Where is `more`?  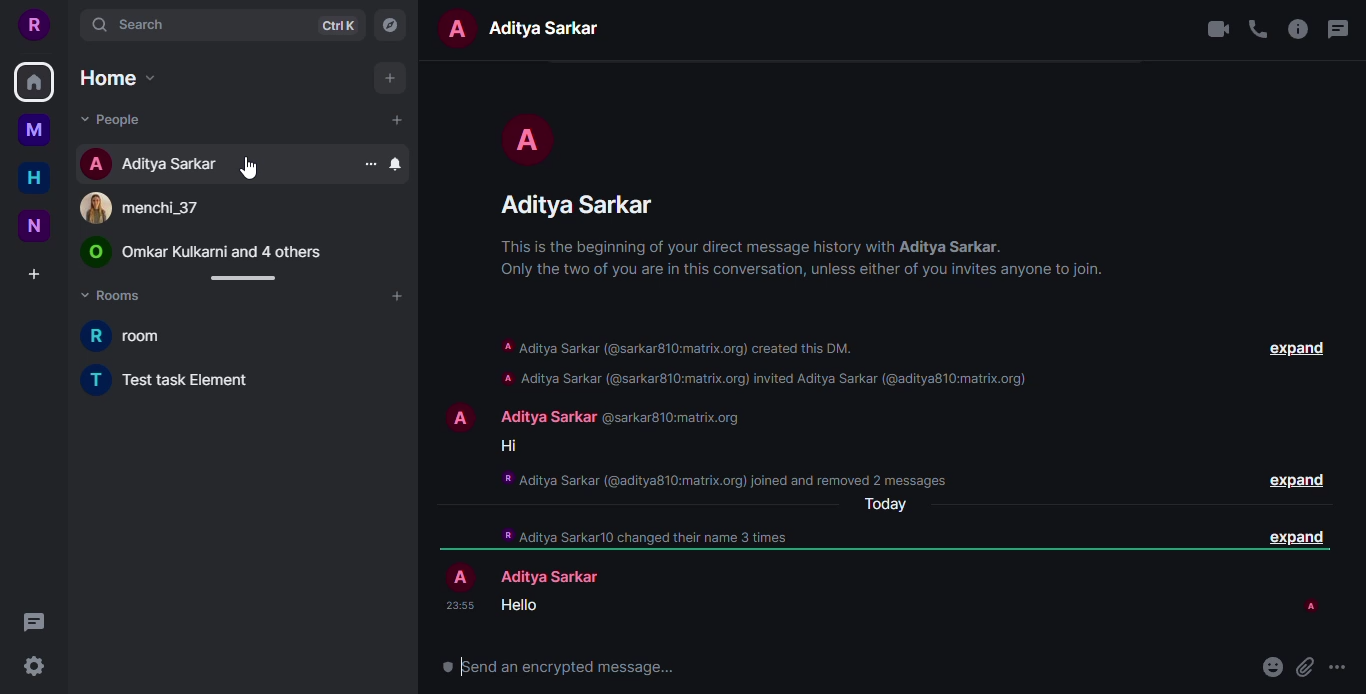
more is located at coordinates (369, 164).